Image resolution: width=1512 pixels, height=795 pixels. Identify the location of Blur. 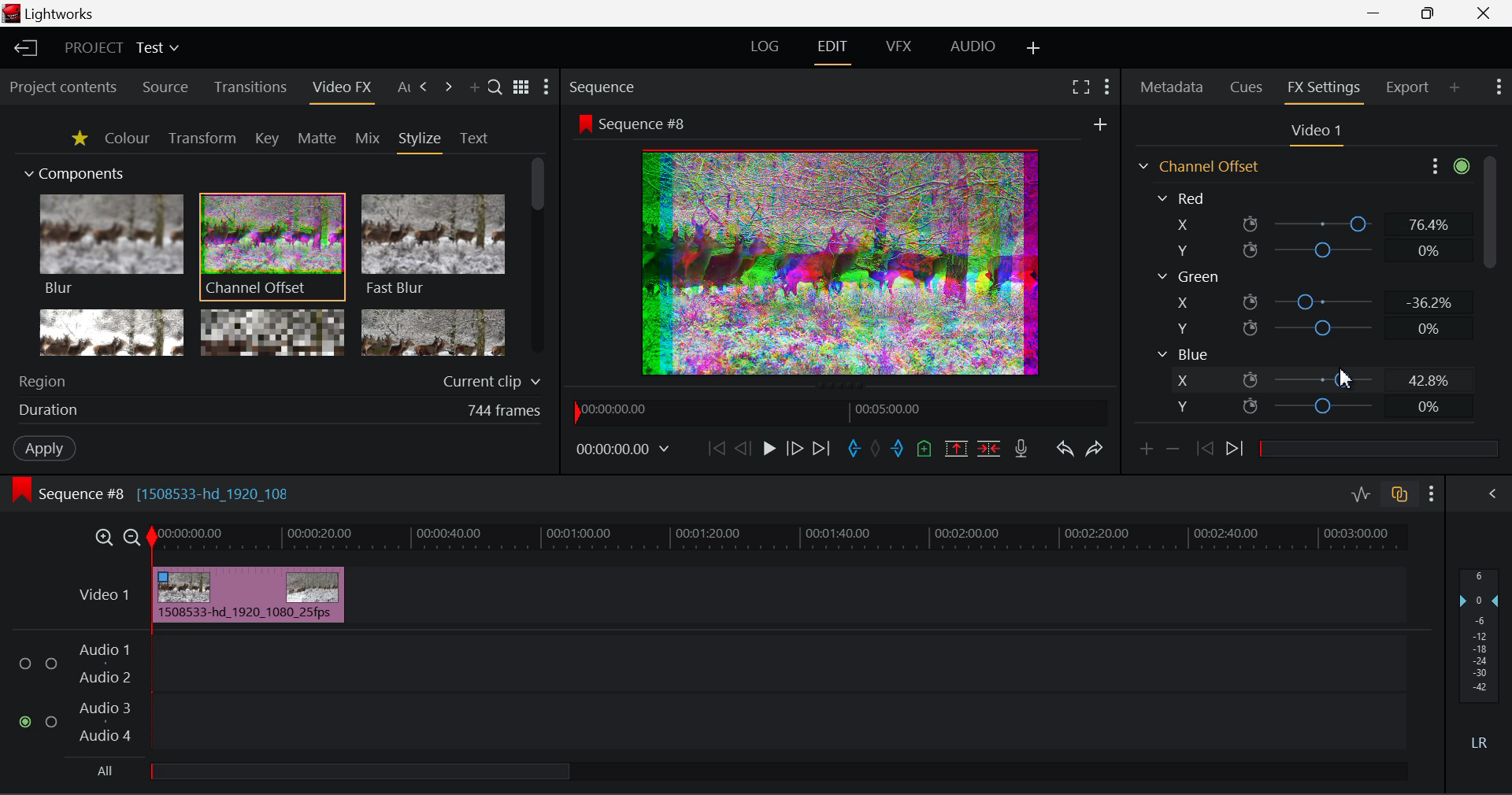
(110, 246).